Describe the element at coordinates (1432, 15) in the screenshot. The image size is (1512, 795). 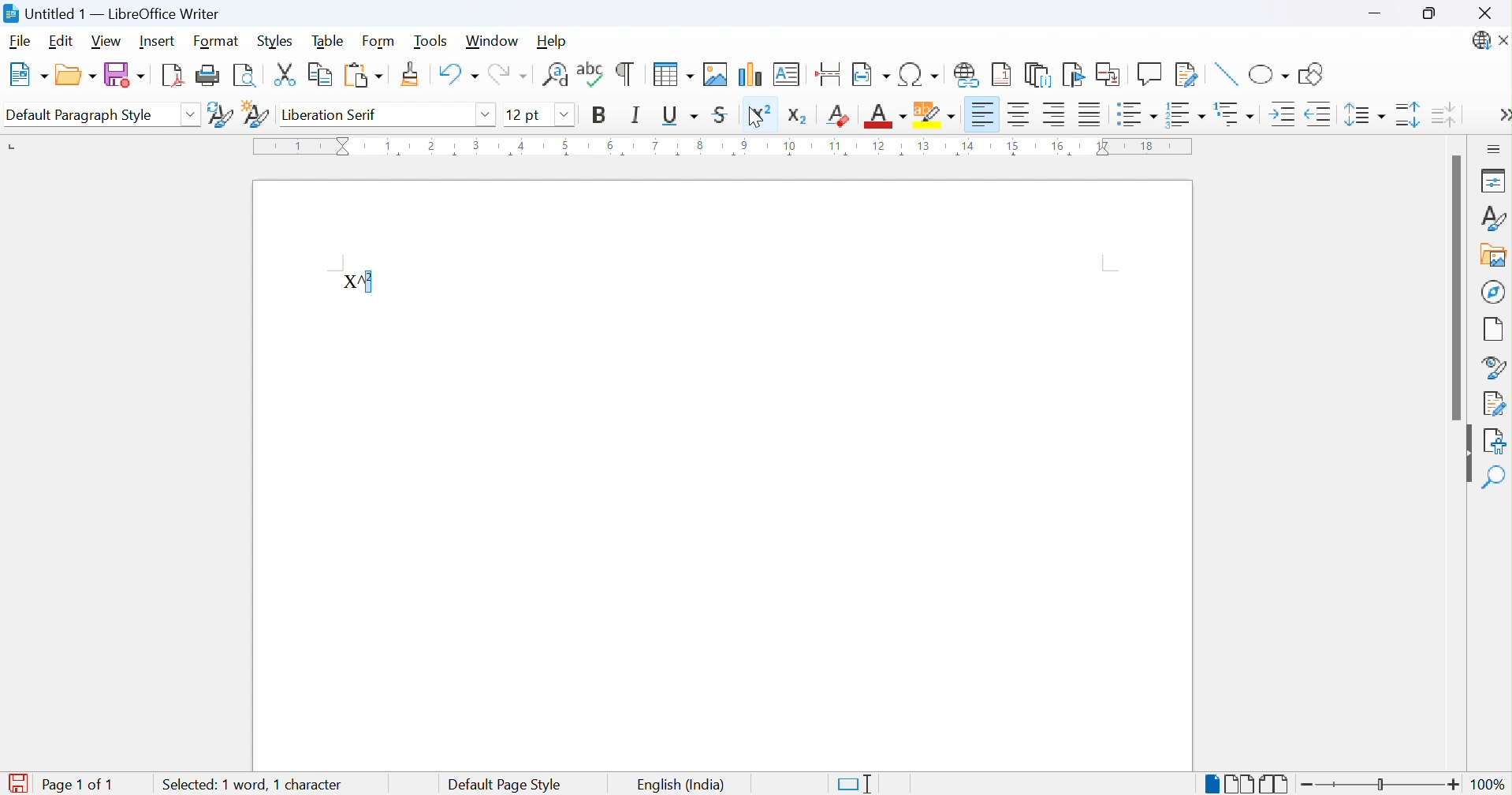
I see `Restore down` at that location.